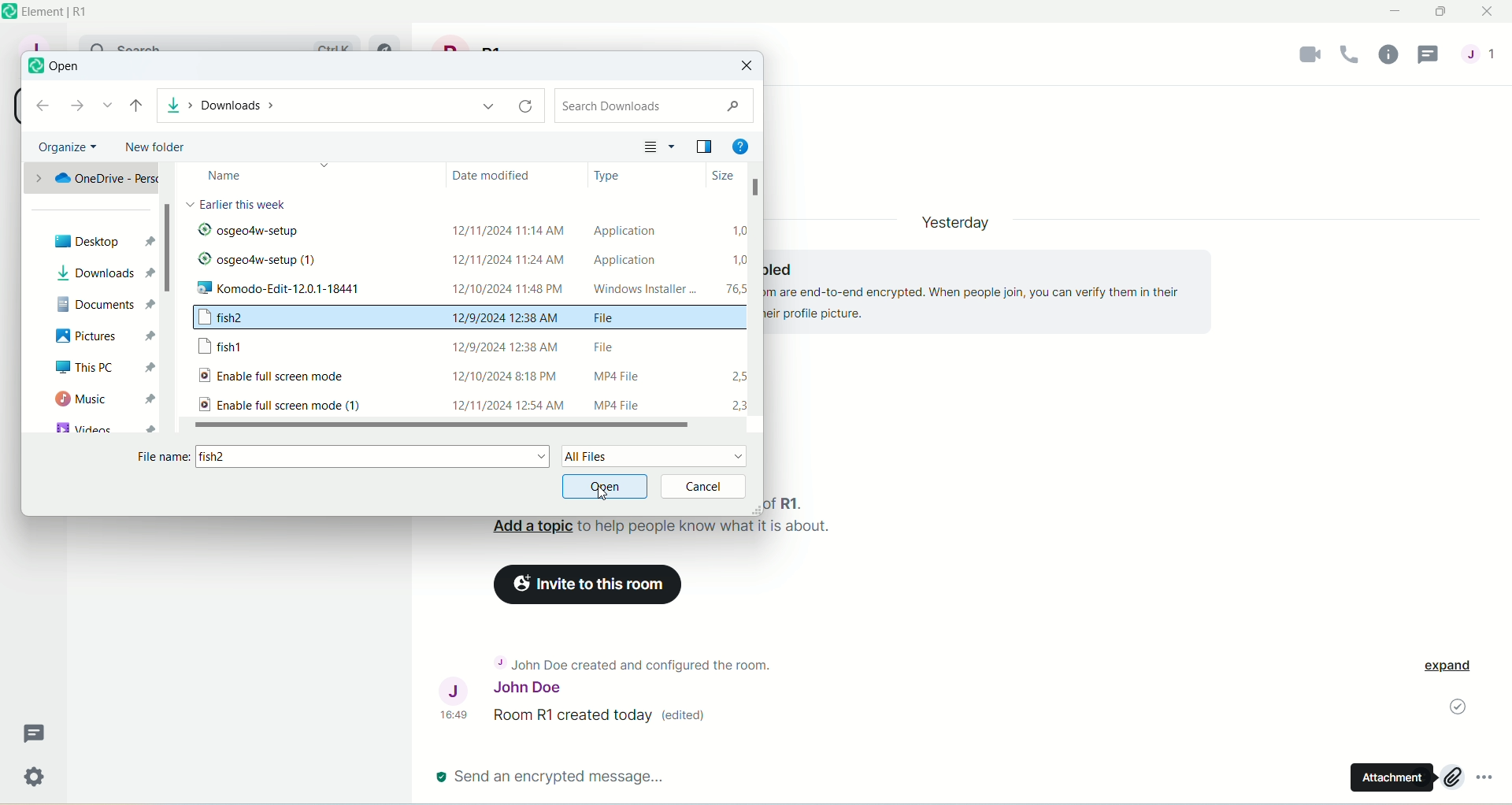  Describe the element at coordinates (344, 461) in the screenshot. I see `file name` at that location.